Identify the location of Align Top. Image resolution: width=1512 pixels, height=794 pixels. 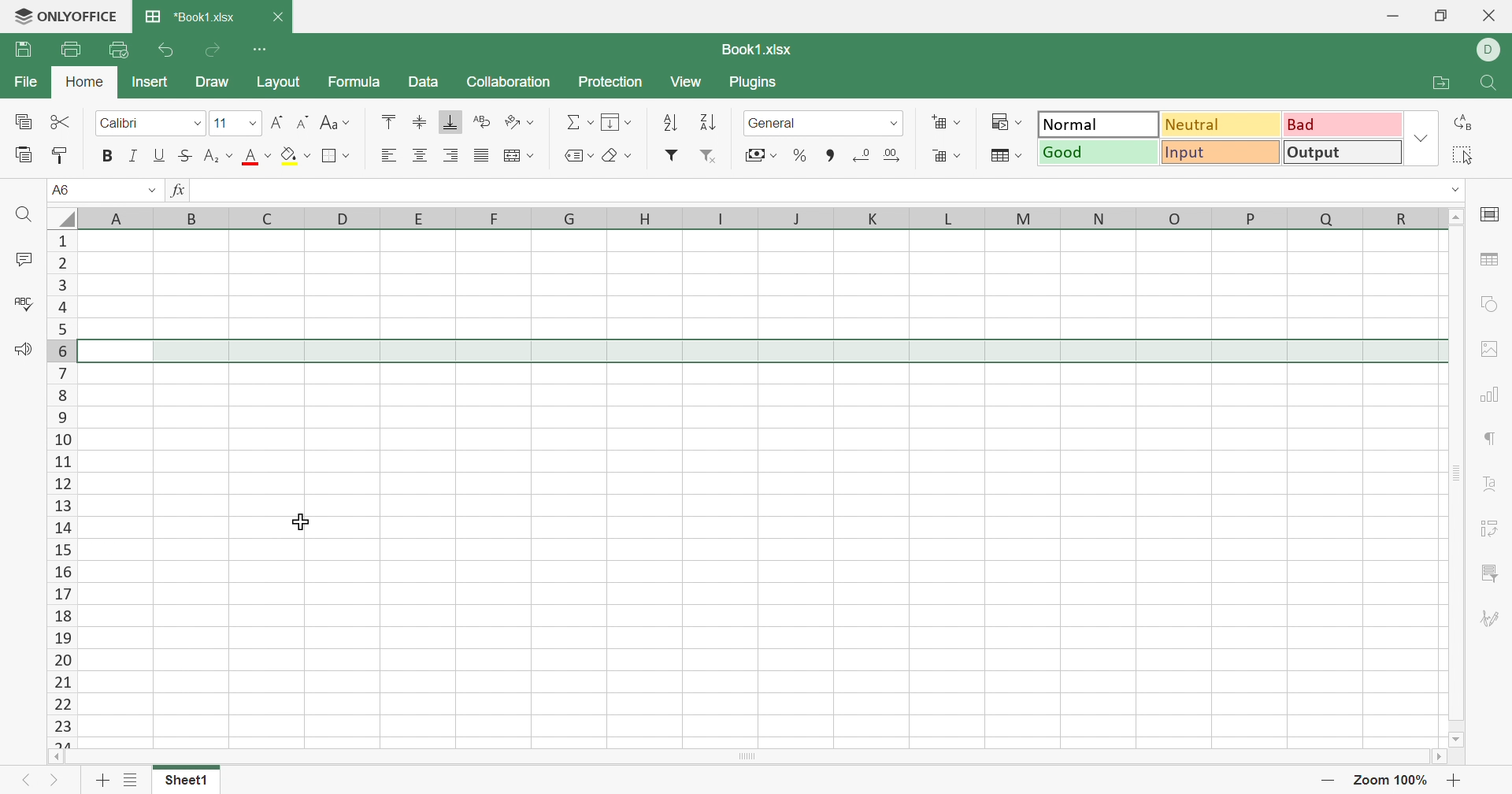
(389, 121).